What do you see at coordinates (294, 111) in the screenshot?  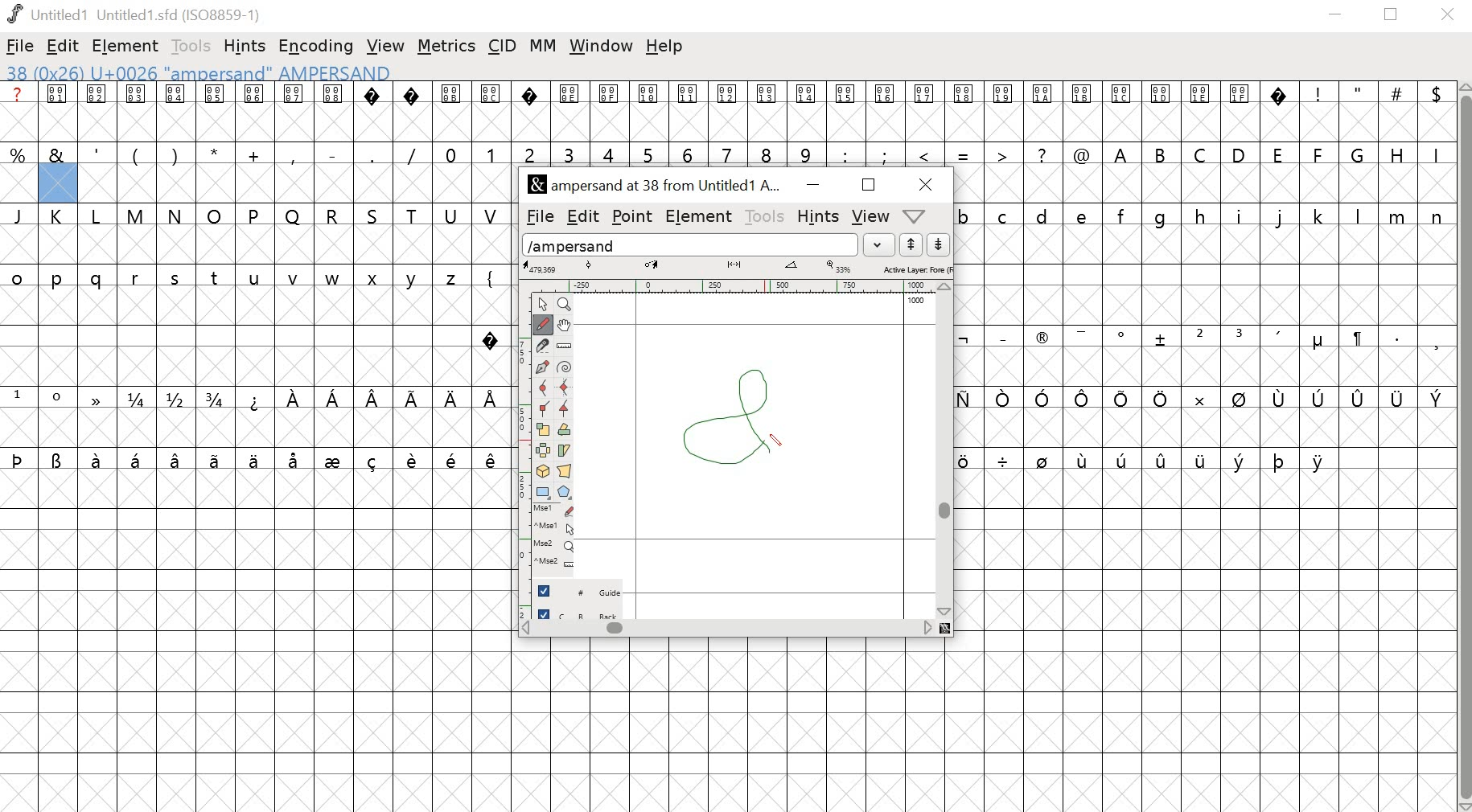 I see `0007` at bounding box center [294, 111].